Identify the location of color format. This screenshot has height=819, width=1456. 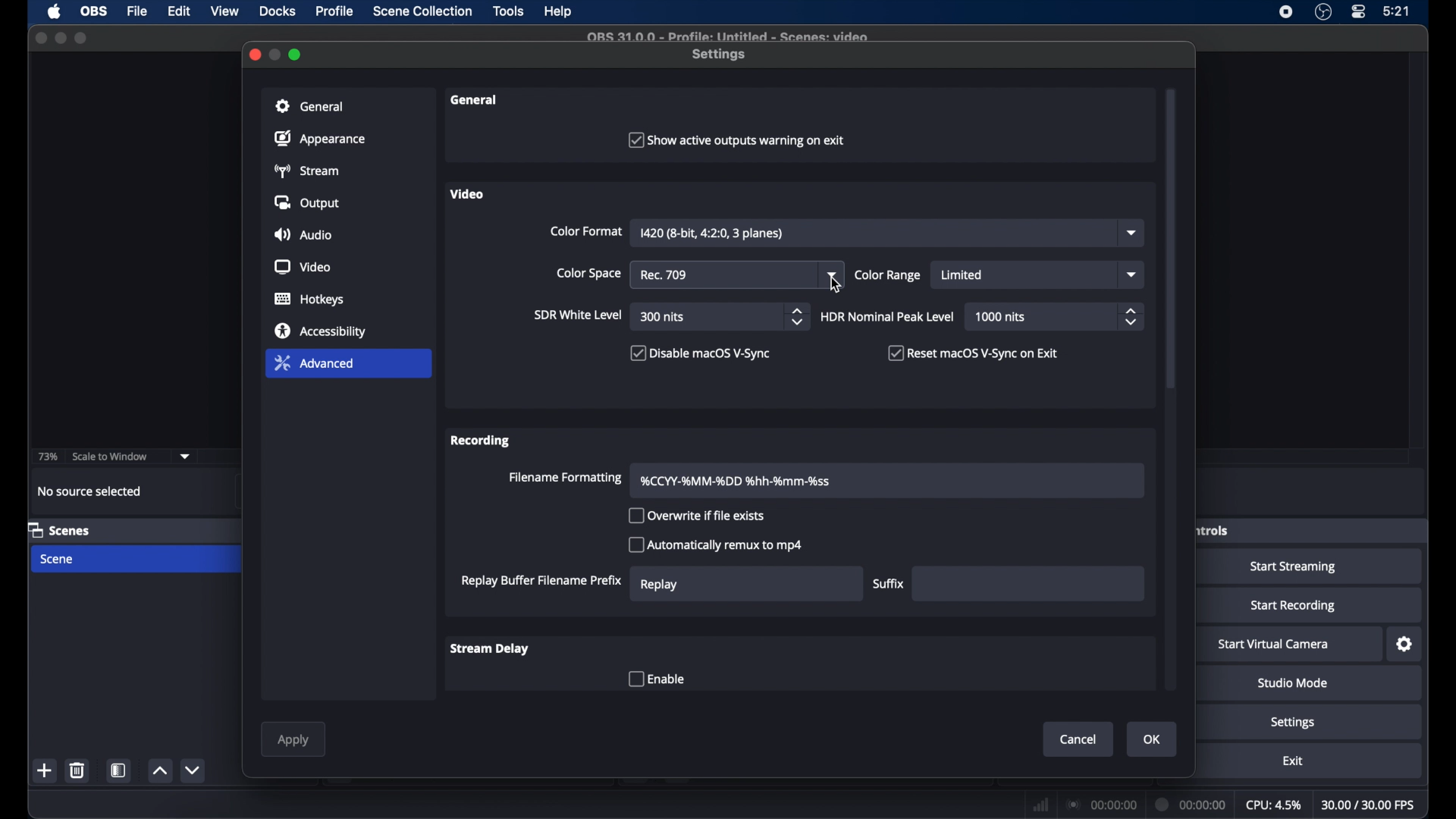
(711, 233).